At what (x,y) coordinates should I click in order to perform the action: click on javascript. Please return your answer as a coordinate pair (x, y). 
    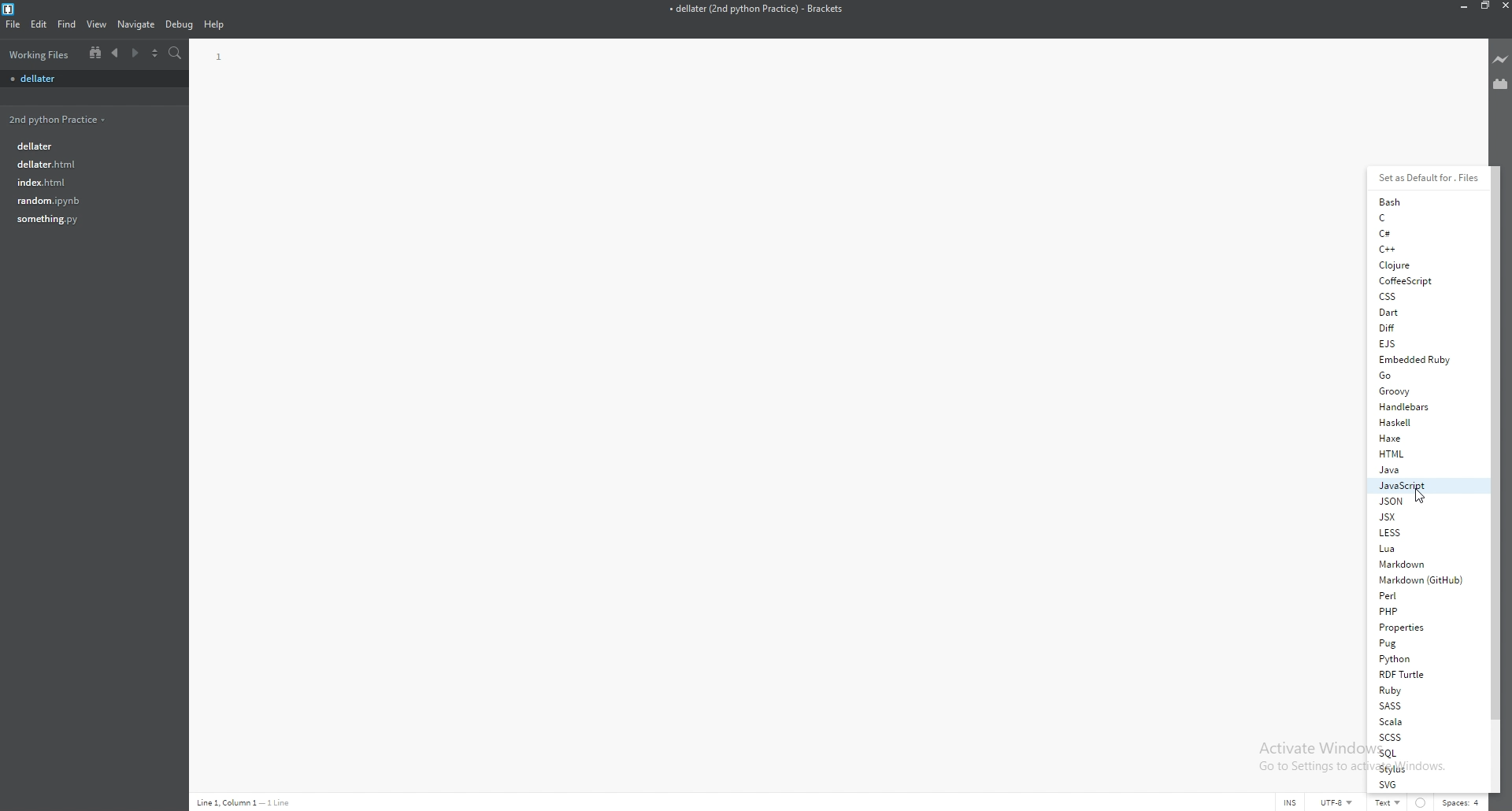
    Looking at the image, I should click on (1424, 486).